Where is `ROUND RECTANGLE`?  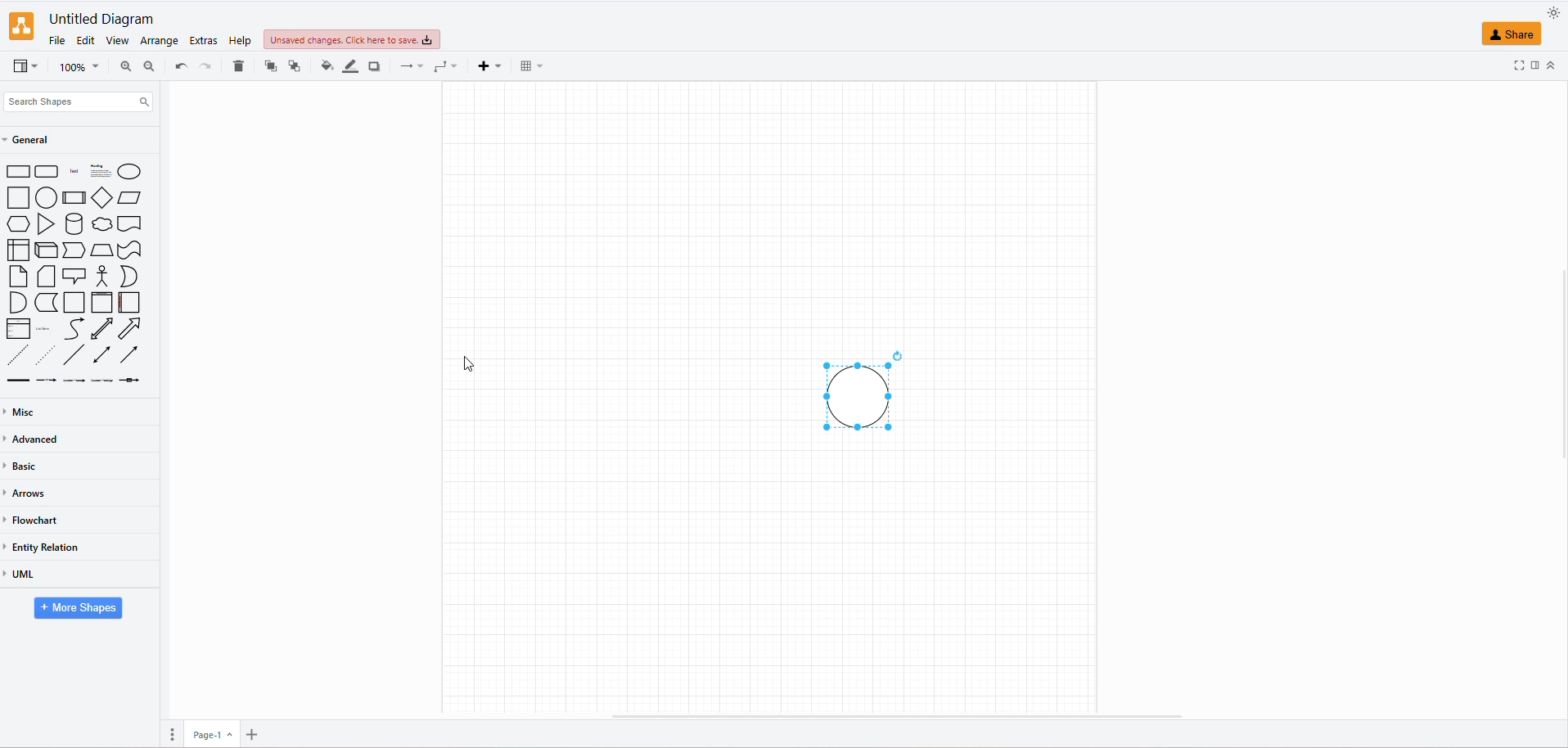 ROUND RECTANGLE is located at coordinates (45, 169).